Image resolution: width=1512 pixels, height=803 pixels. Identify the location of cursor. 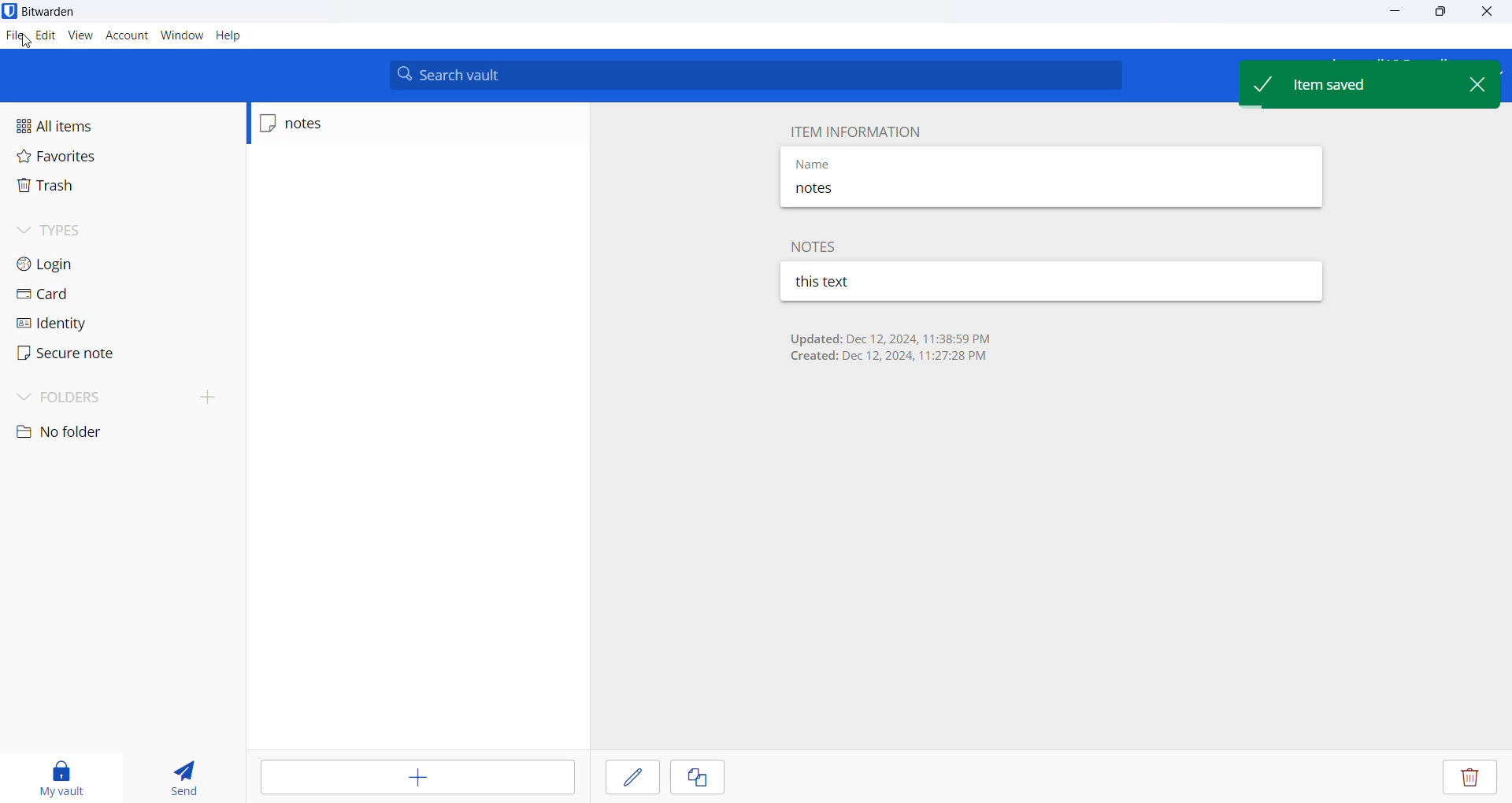
(25, 41).